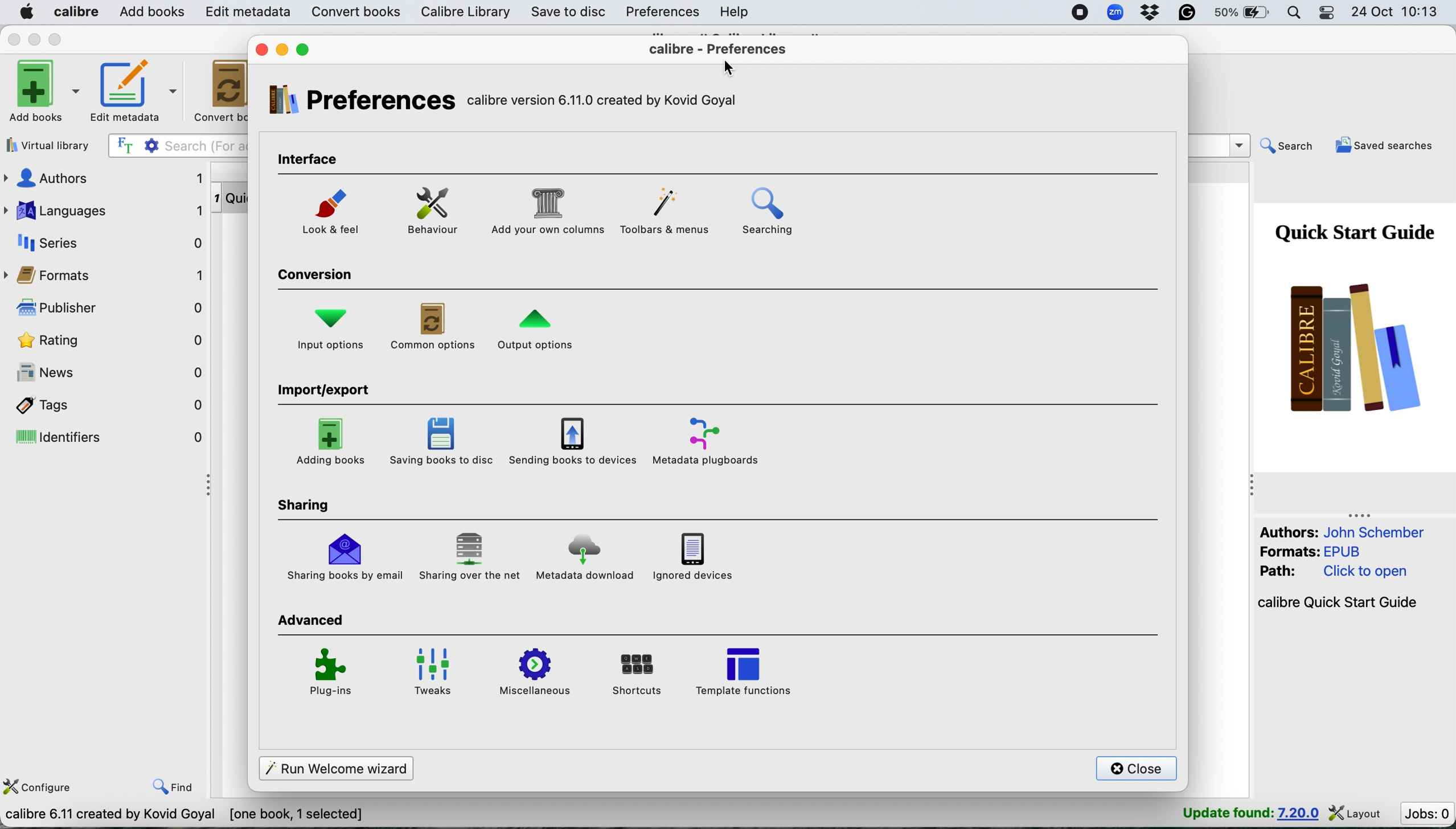 This screenshot has width=1456, height=829. What do you see at coordinates (1426, 813) in the screenshot?
I see `jobs : 0` at bounding box center [1426, 813].